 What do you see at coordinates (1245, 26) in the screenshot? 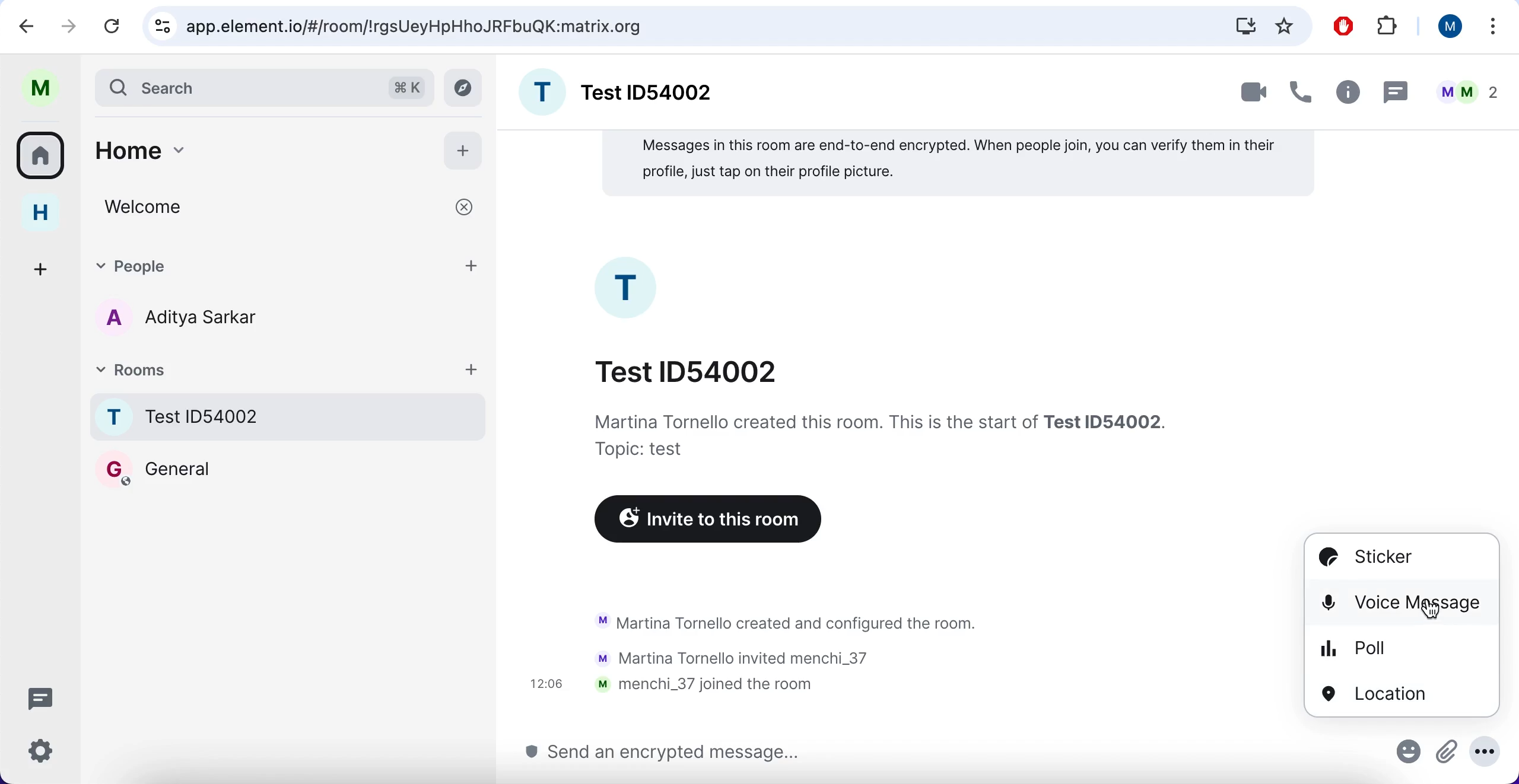
I see `install Matrix` at bounding box center [1245, 26].